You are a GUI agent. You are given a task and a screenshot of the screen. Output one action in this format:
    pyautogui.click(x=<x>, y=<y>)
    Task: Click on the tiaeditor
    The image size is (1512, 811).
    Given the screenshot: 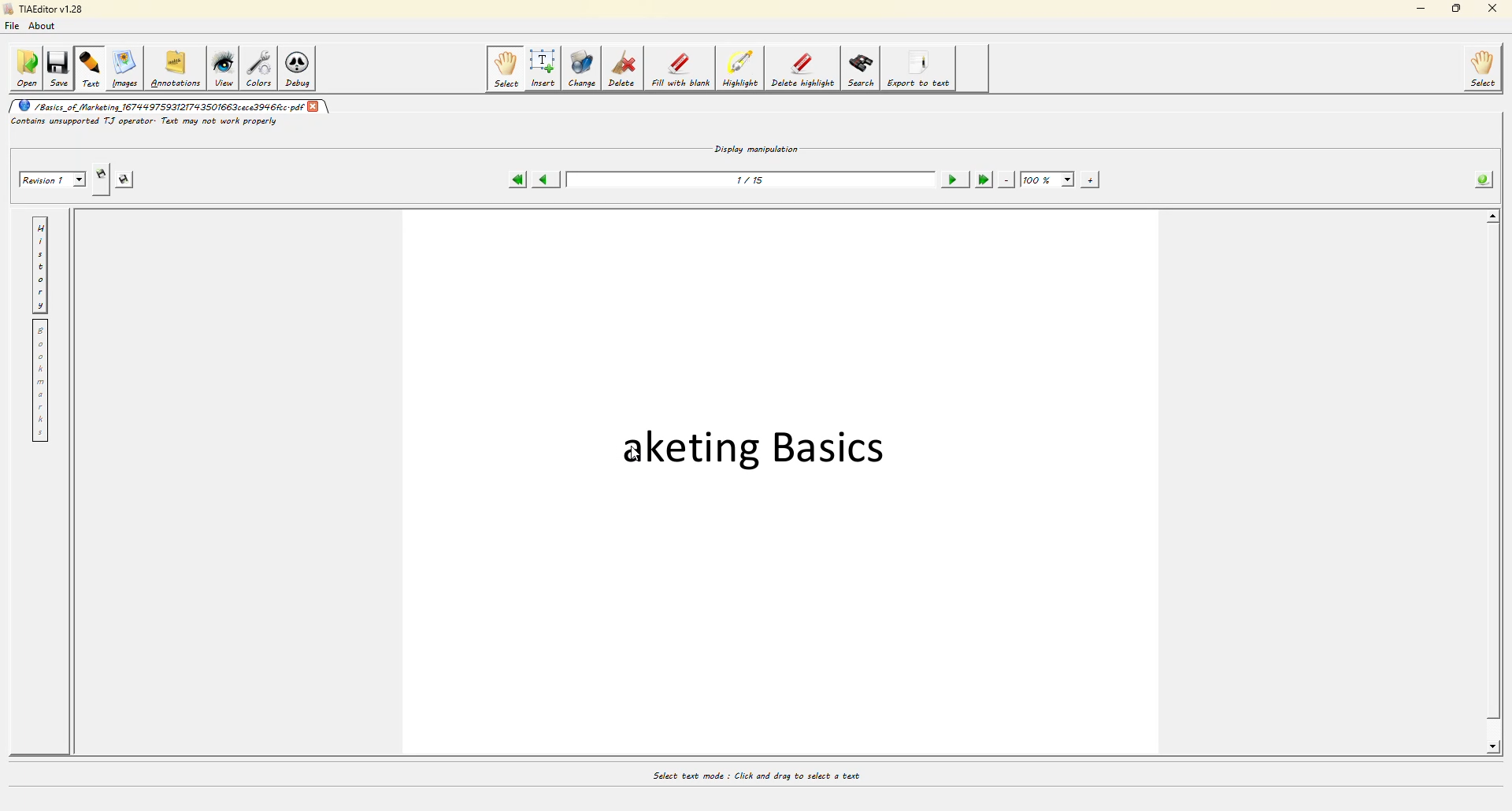 What is the action you would take?
    pyautogui.click(x=49, y=9)
    